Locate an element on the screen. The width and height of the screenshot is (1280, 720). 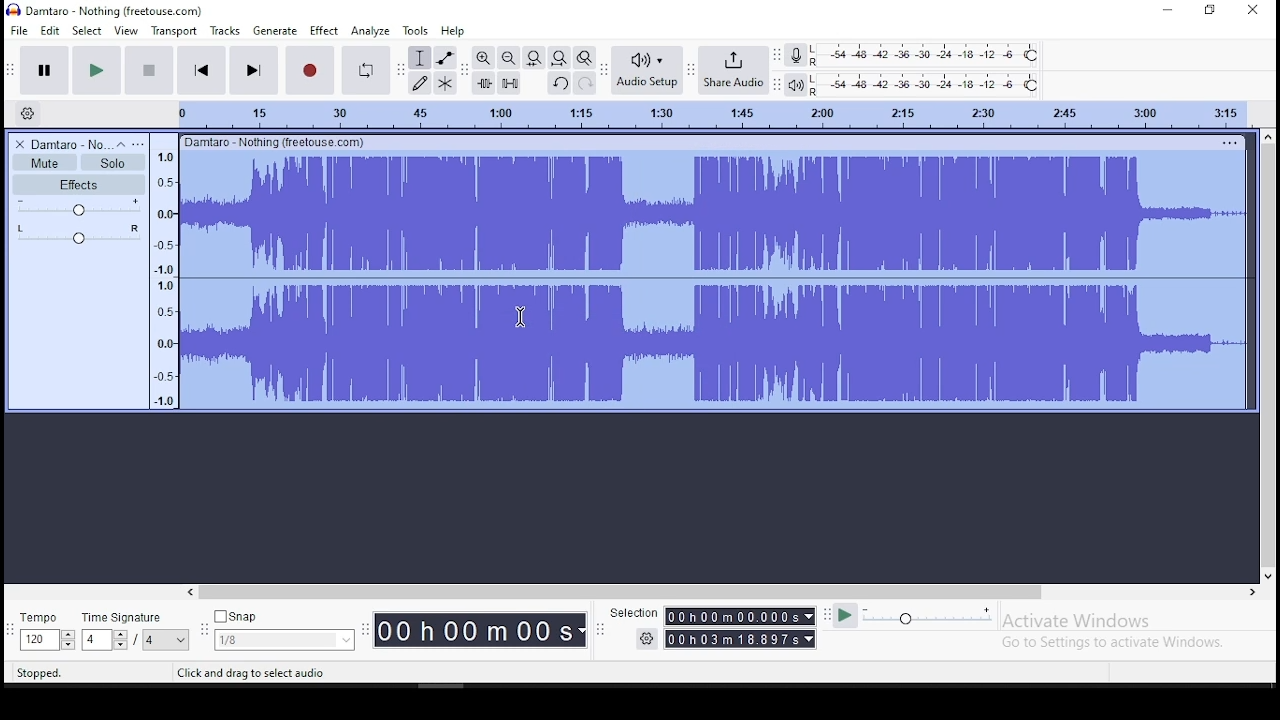
restore is located at coordinates (1210, 11).